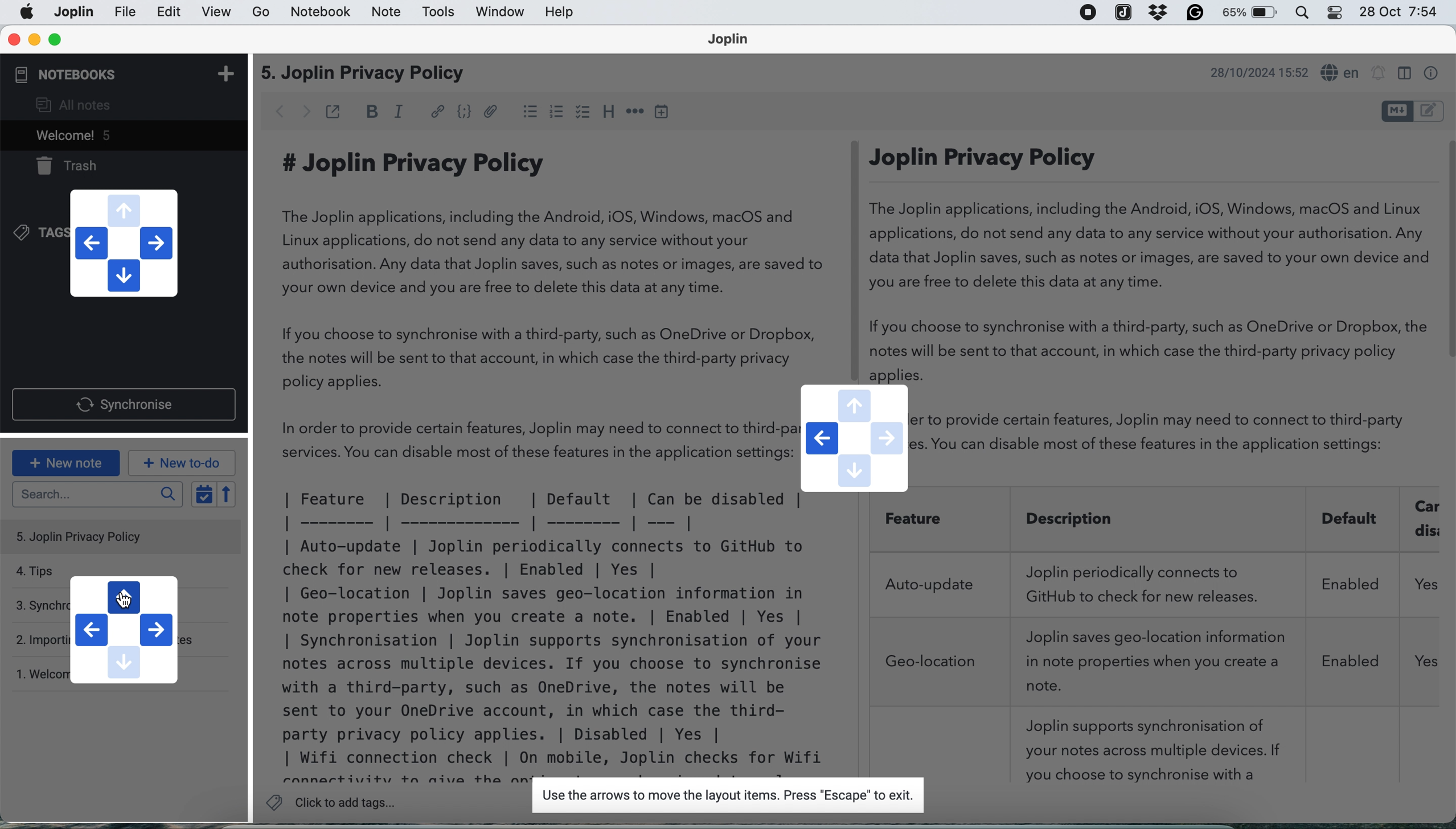 This screenshot has height=829, width=1456. Describe the element at coordinates (55, 40) in the screenshot. I see `maximise` at that location.